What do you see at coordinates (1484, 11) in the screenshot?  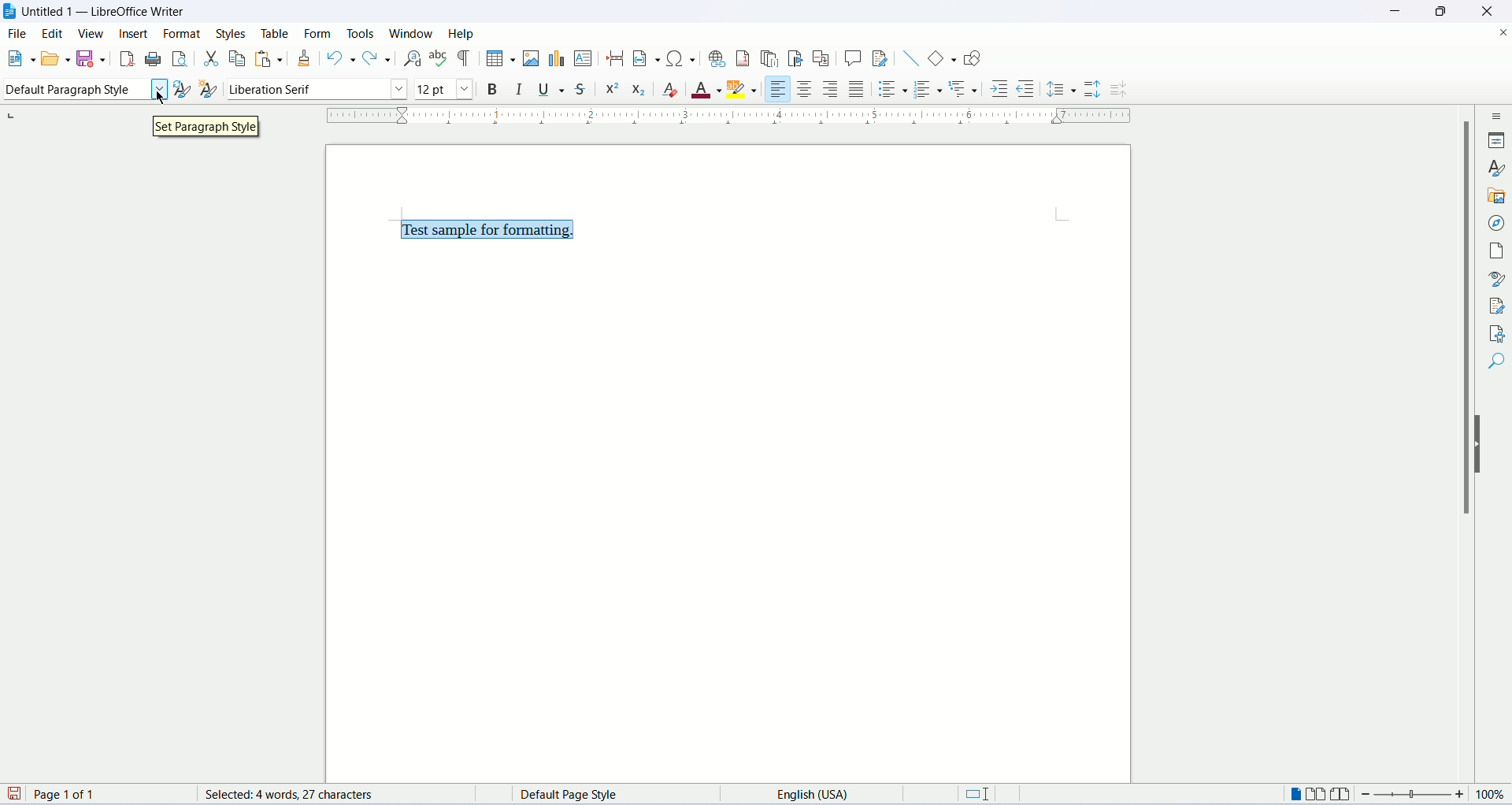 I see `close` at bounding box center [1484, 11].